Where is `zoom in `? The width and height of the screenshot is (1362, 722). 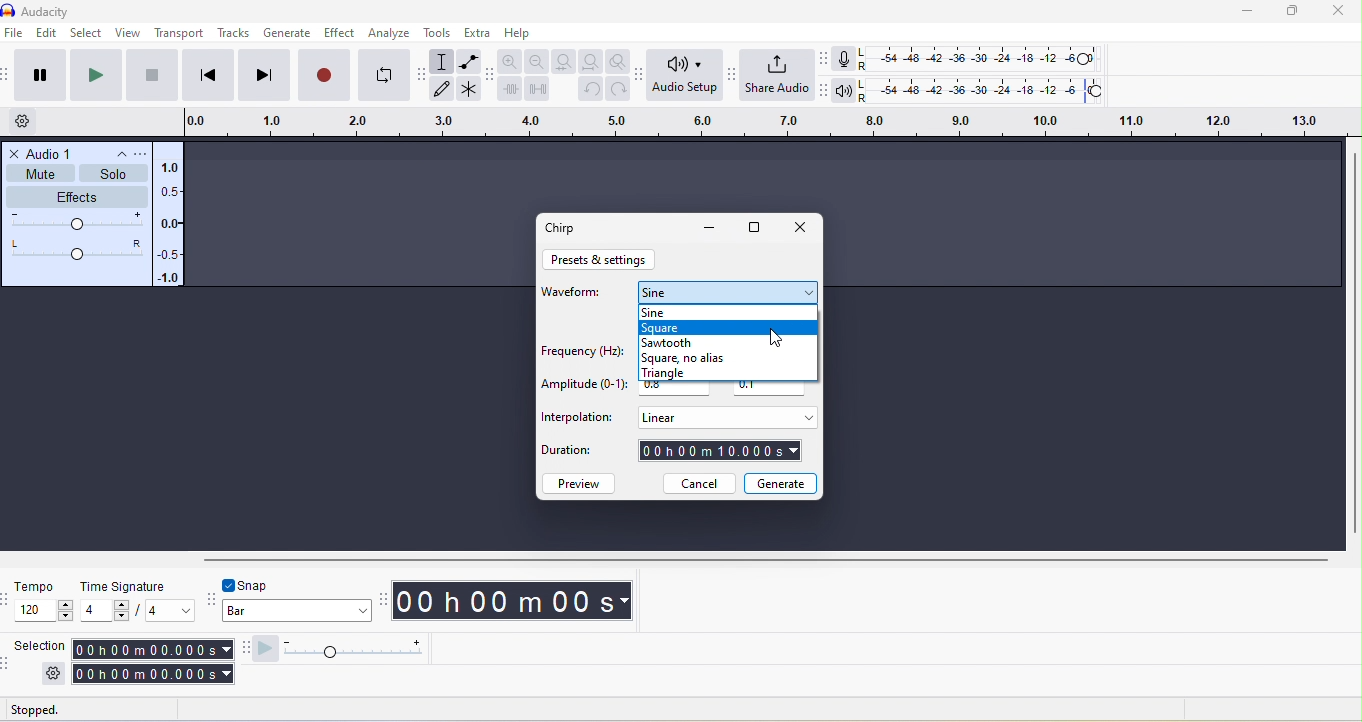
zoom in  is located at coordinates (511, 60).